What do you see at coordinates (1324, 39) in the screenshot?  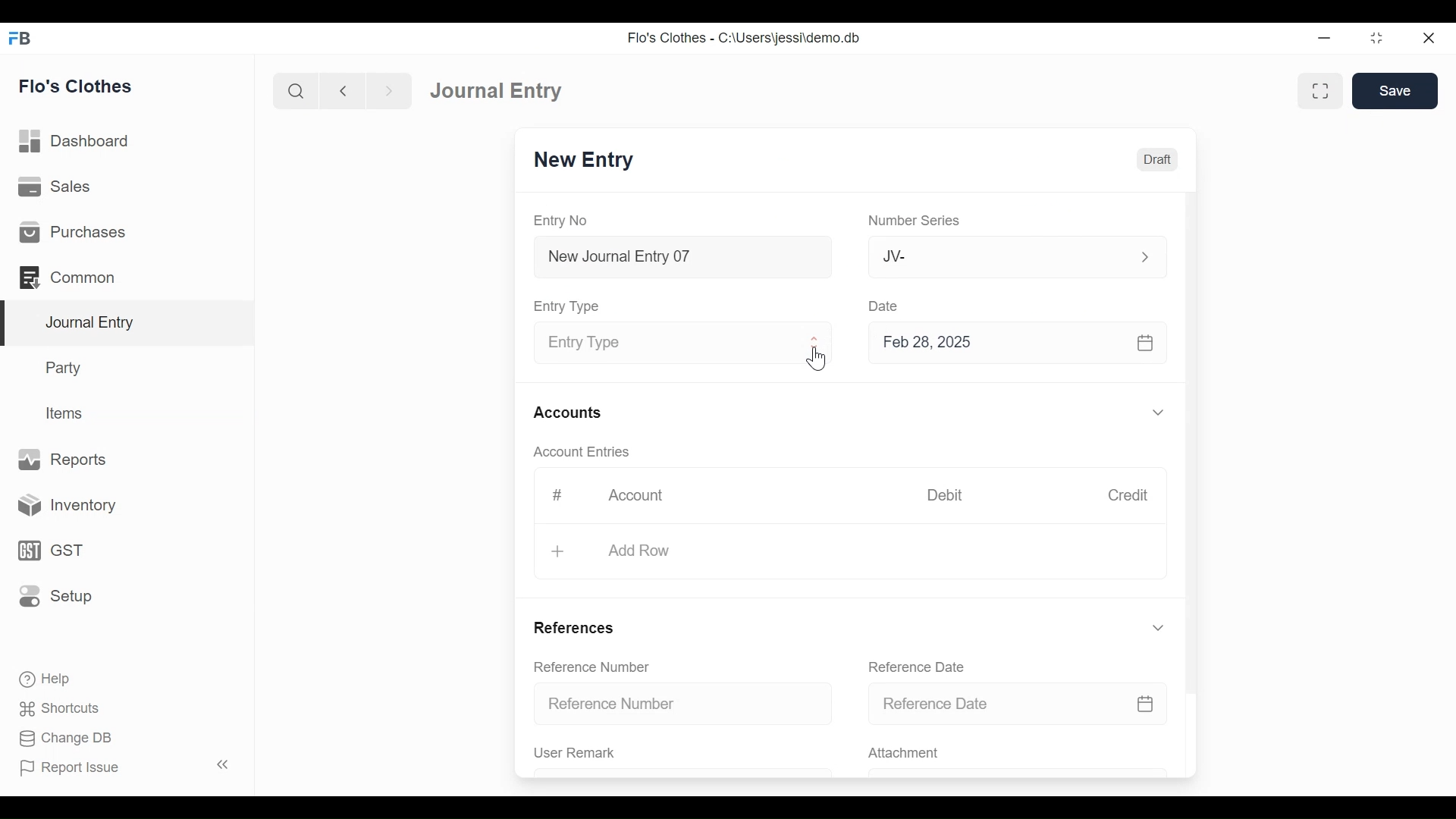 I see `minimize` at bounding box center [1324, 39].